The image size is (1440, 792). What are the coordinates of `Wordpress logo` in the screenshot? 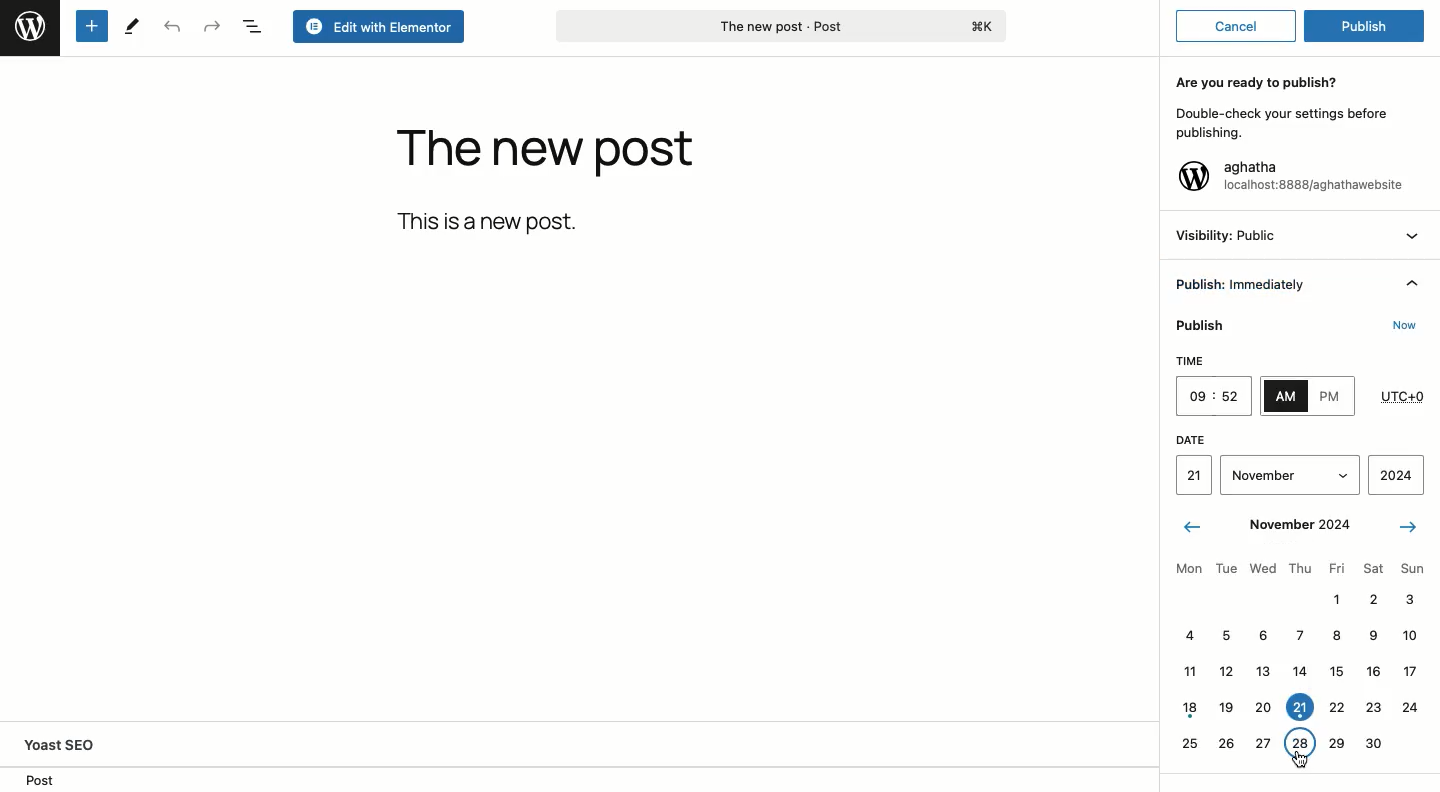 It's located at (29, 26).